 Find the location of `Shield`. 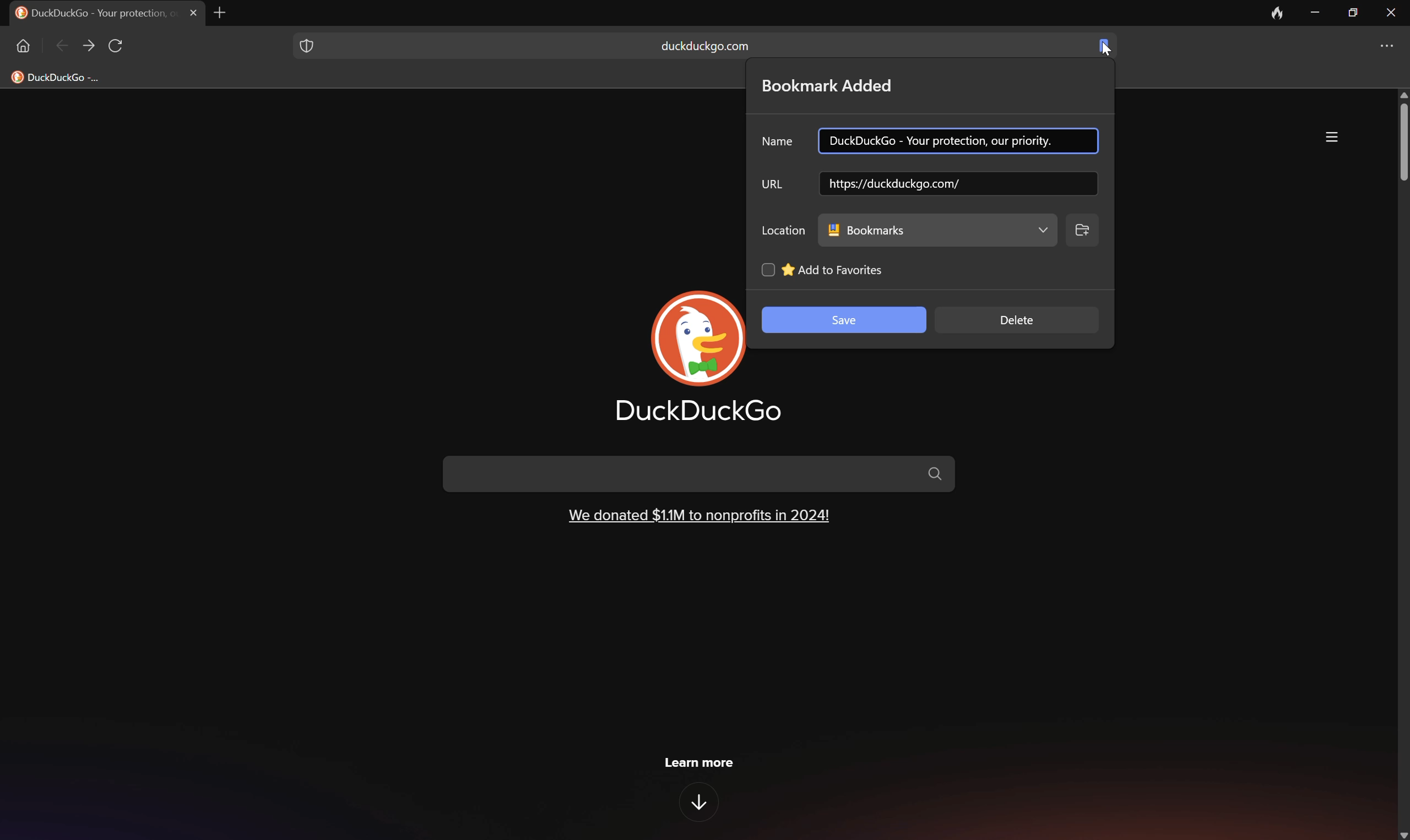

Shield is located at coordinates (305, 44).